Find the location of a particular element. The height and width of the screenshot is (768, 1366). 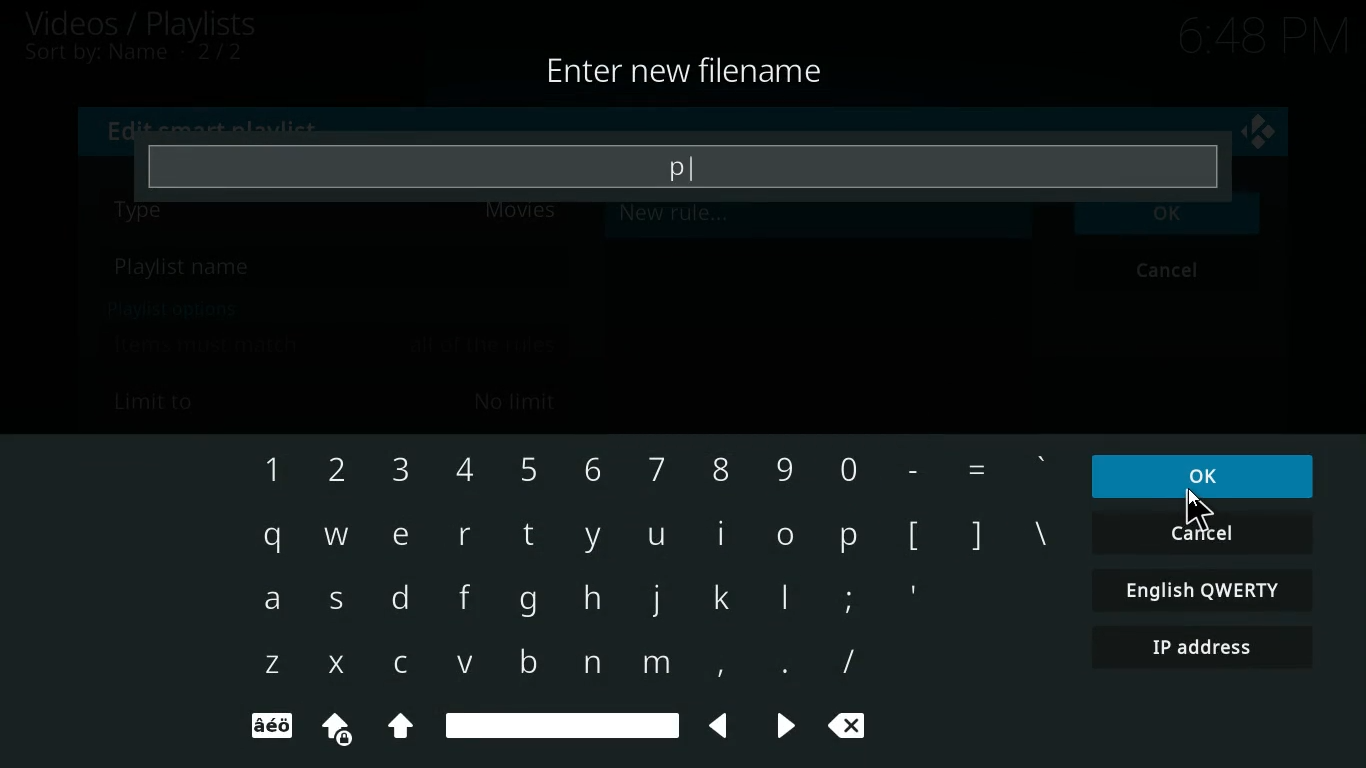

backspace is located at coordinates (854, 728).